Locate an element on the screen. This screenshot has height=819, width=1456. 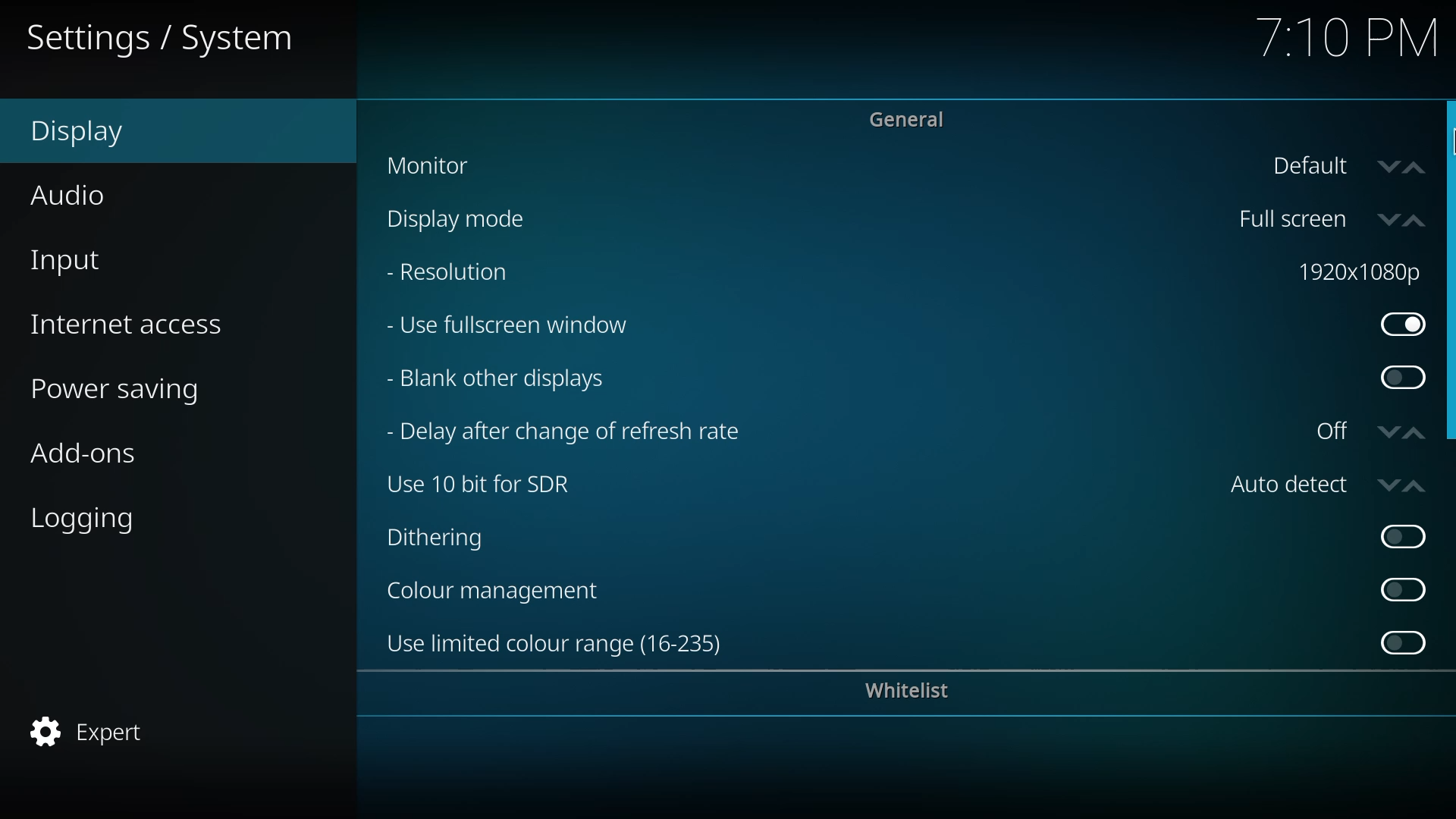
enable is located at coordinates (1404, 641).